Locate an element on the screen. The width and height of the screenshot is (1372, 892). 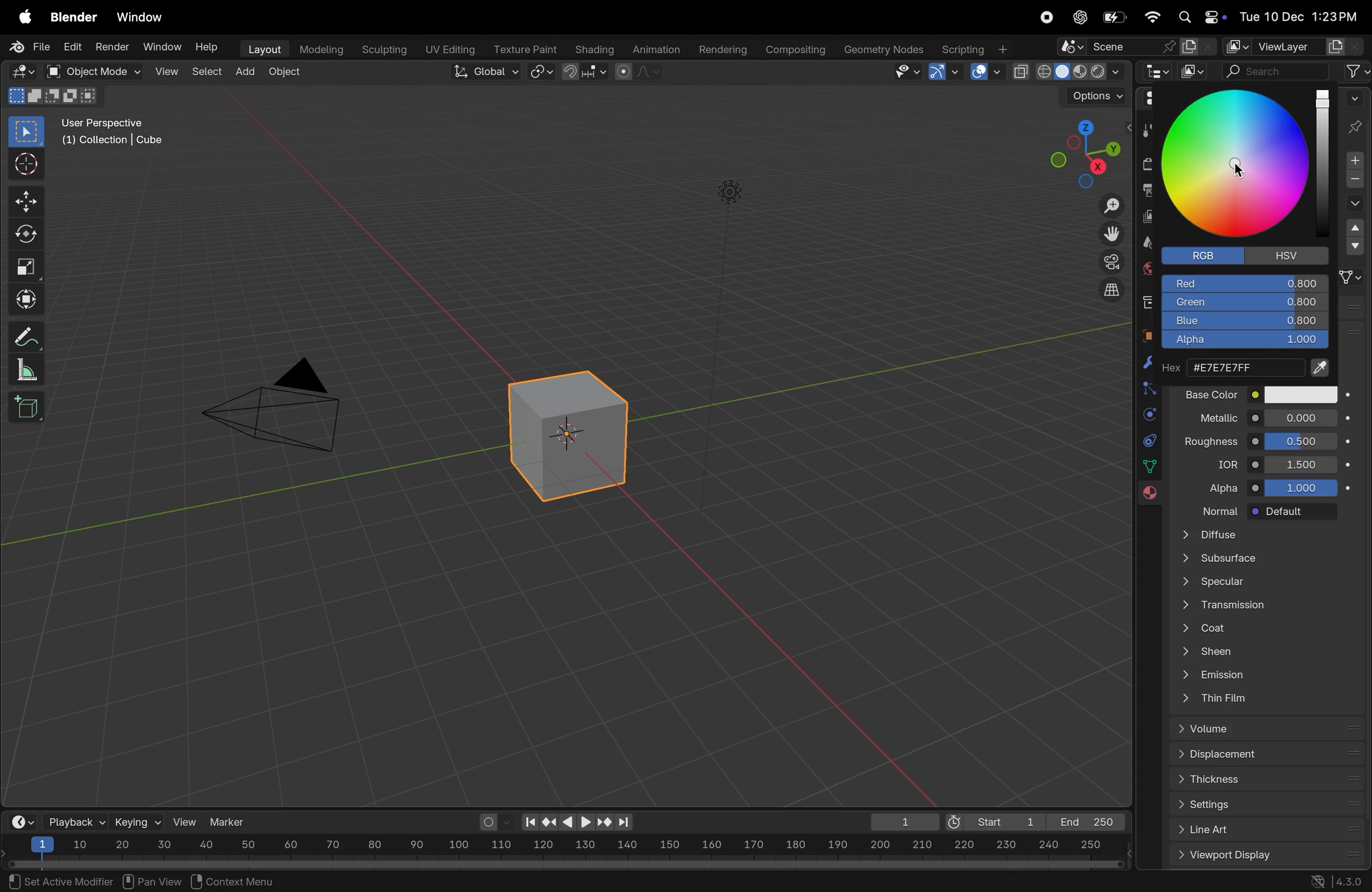
1 is located at coordinates (900, 822).